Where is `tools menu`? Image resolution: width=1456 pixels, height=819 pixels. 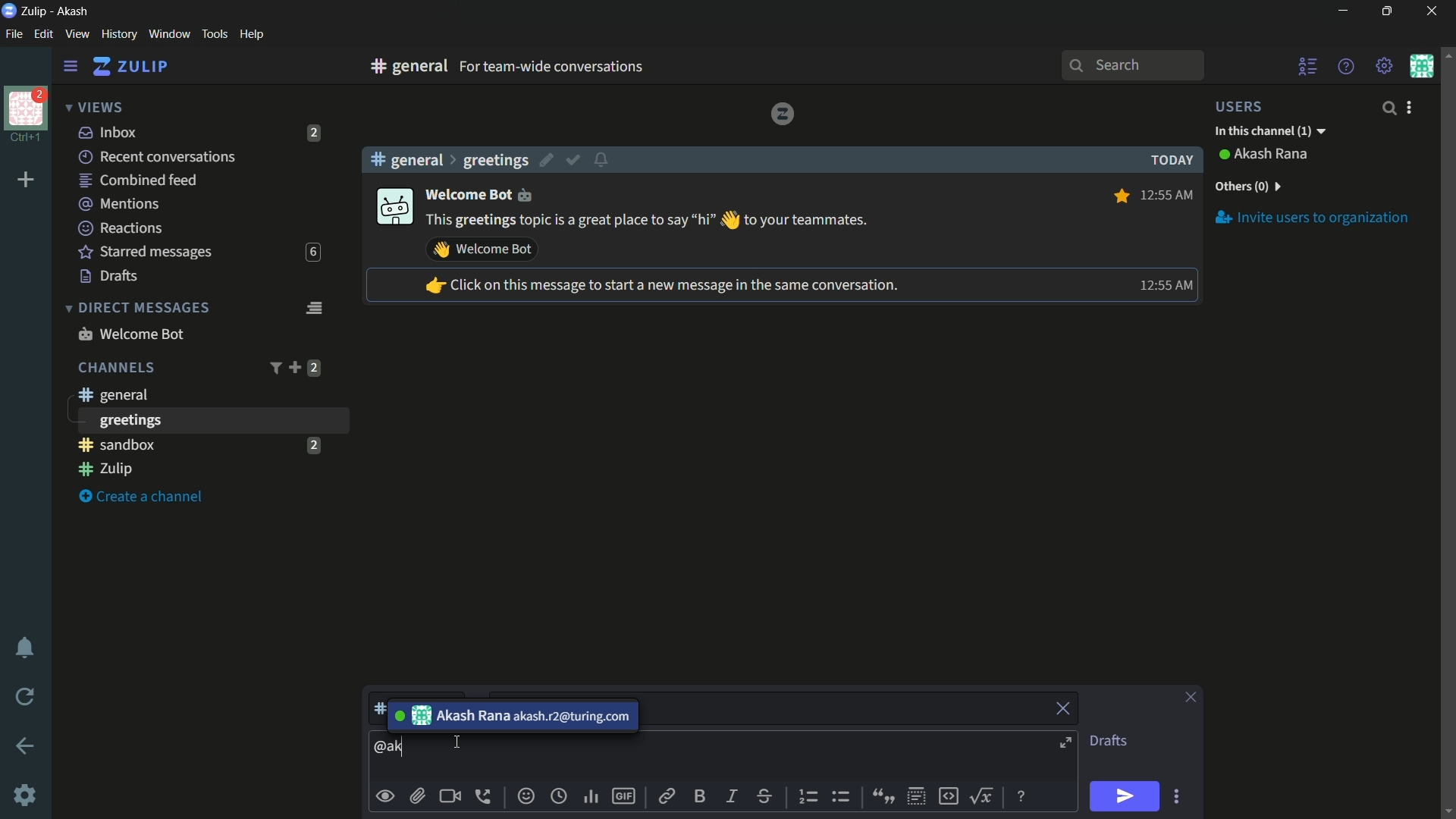
tools menu is located at coordinates (214, 34).